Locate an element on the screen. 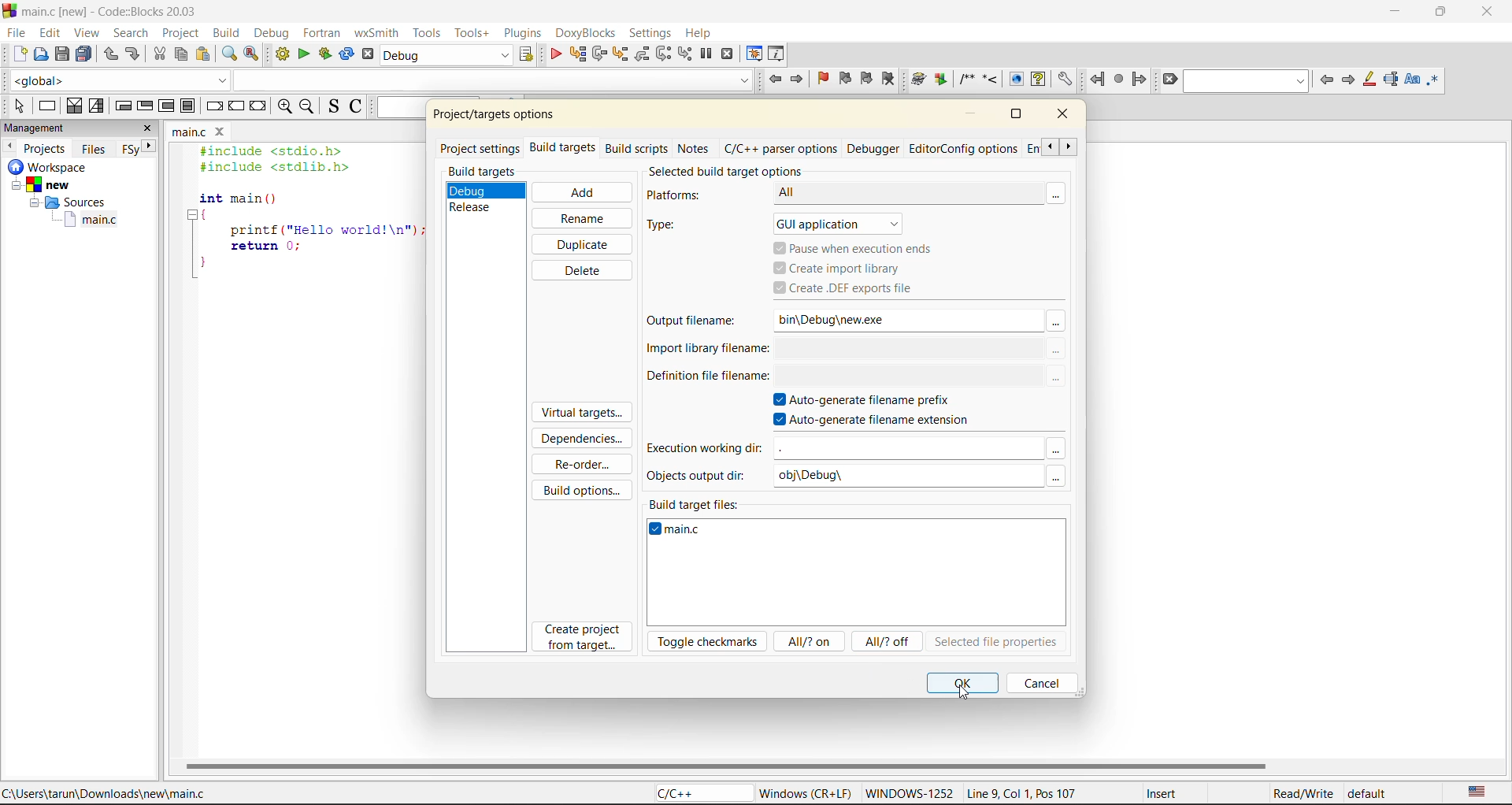  toggle bookmark is located at coordinates (825, 78).